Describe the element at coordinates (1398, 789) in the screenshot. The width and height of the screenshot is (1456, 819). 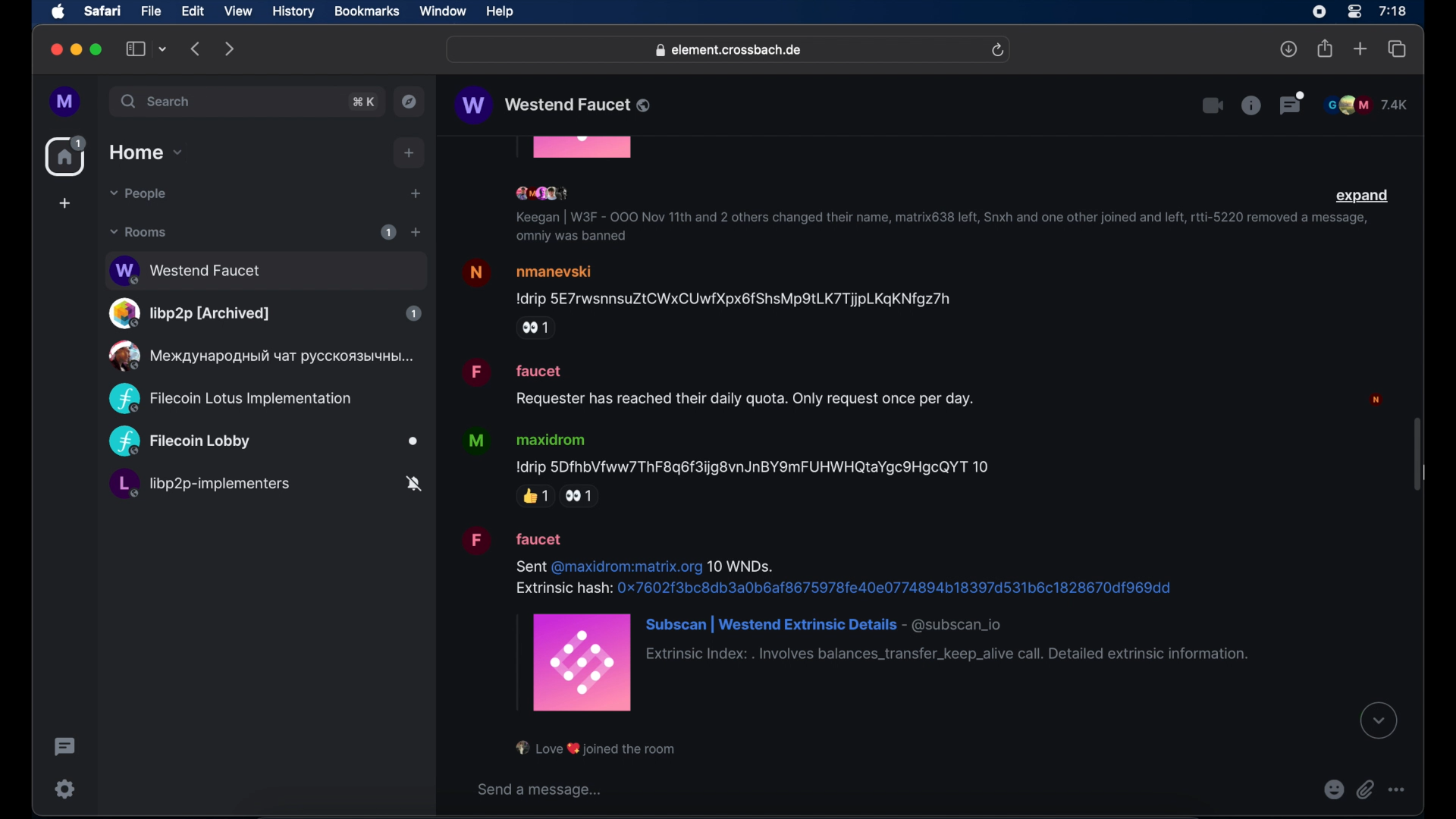
I see `more option` at that location.